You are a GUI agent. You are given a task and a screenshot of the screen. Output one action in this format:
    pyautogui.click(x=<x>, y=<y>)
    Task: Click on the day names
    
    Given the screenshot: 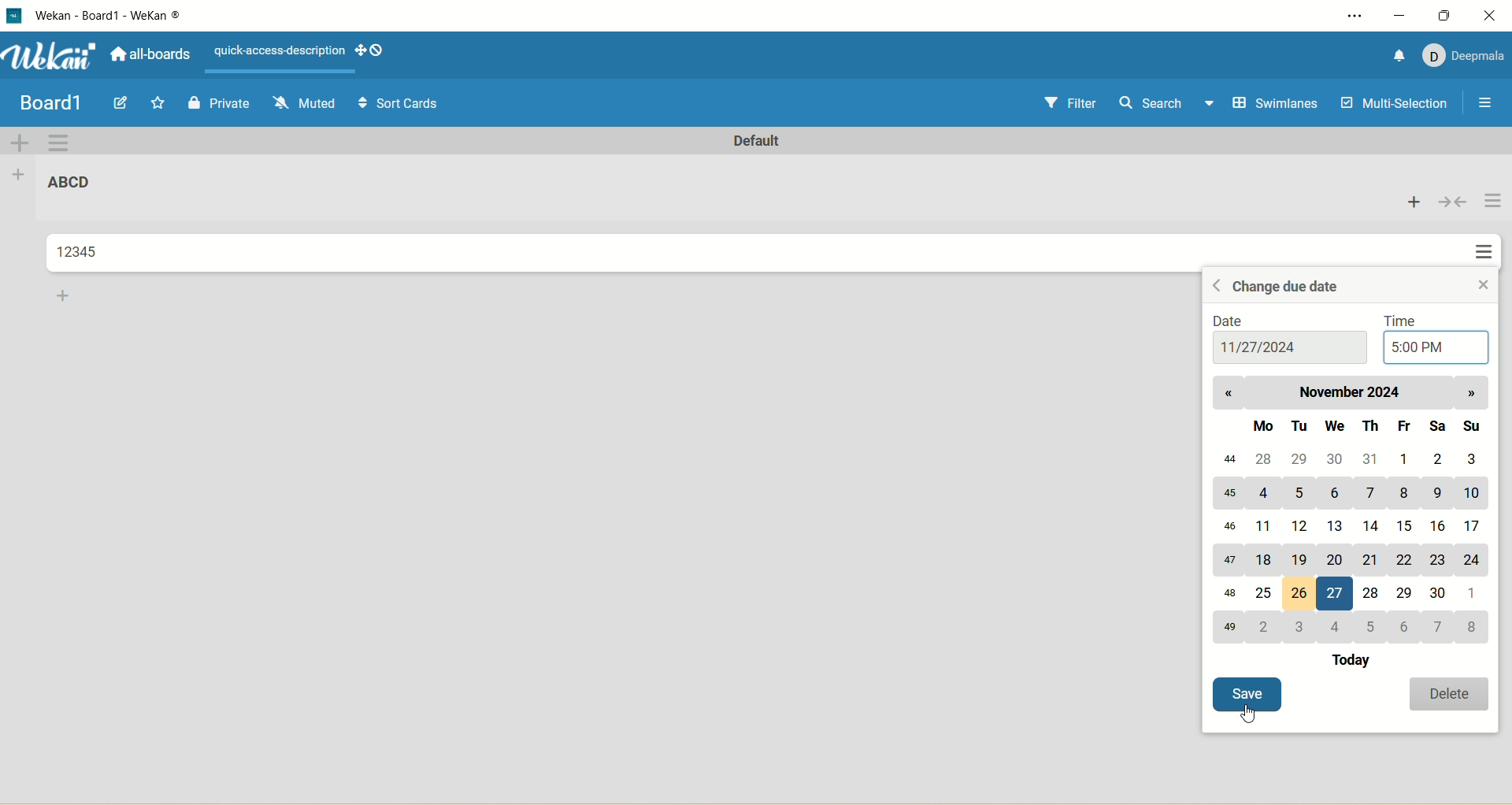 What is the action you would take?
    pyautogui.click(x=1355, y=427)
    